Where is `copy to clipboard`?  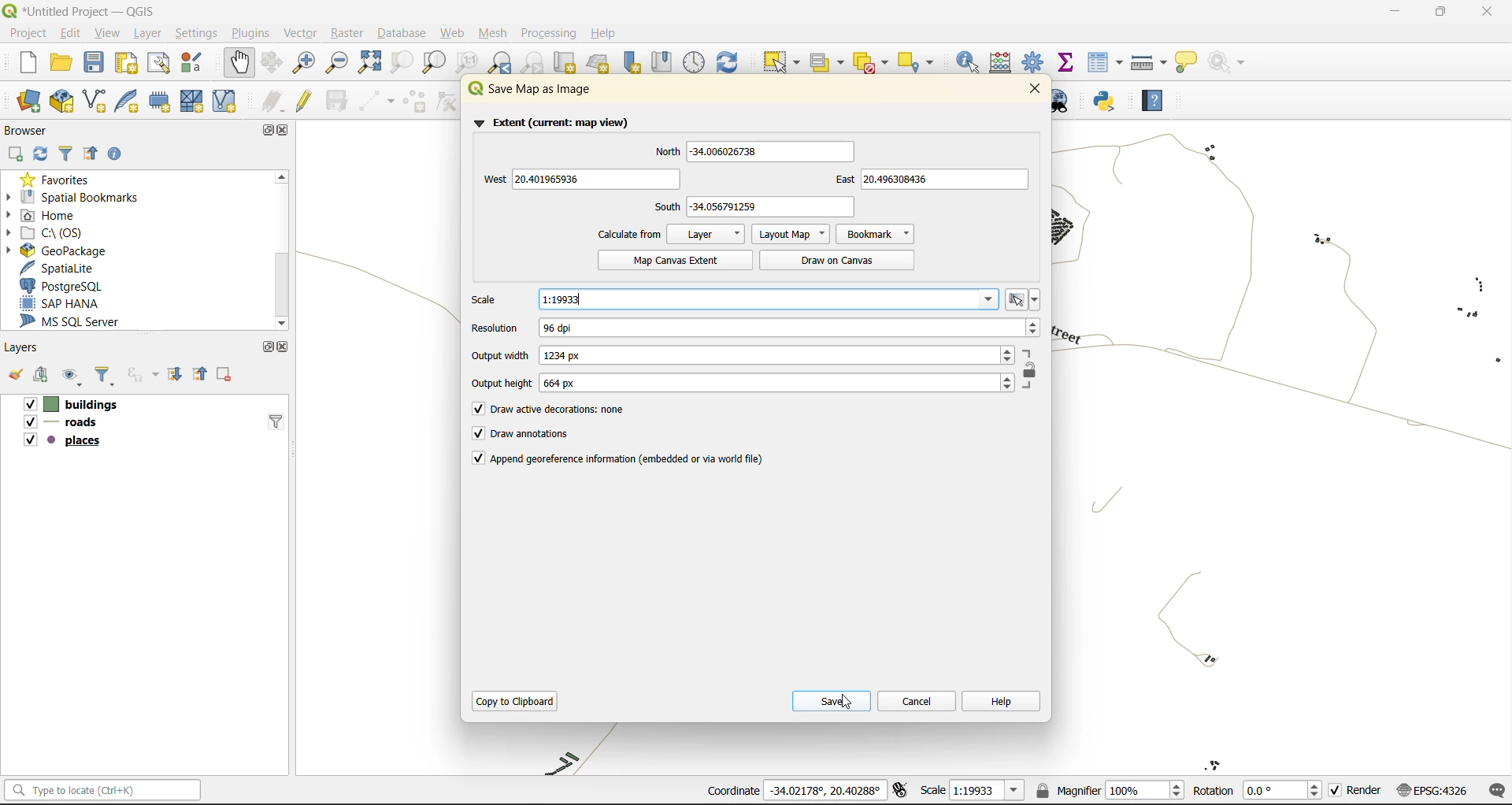 copy to clipboard is located at coordinates (516, 701).